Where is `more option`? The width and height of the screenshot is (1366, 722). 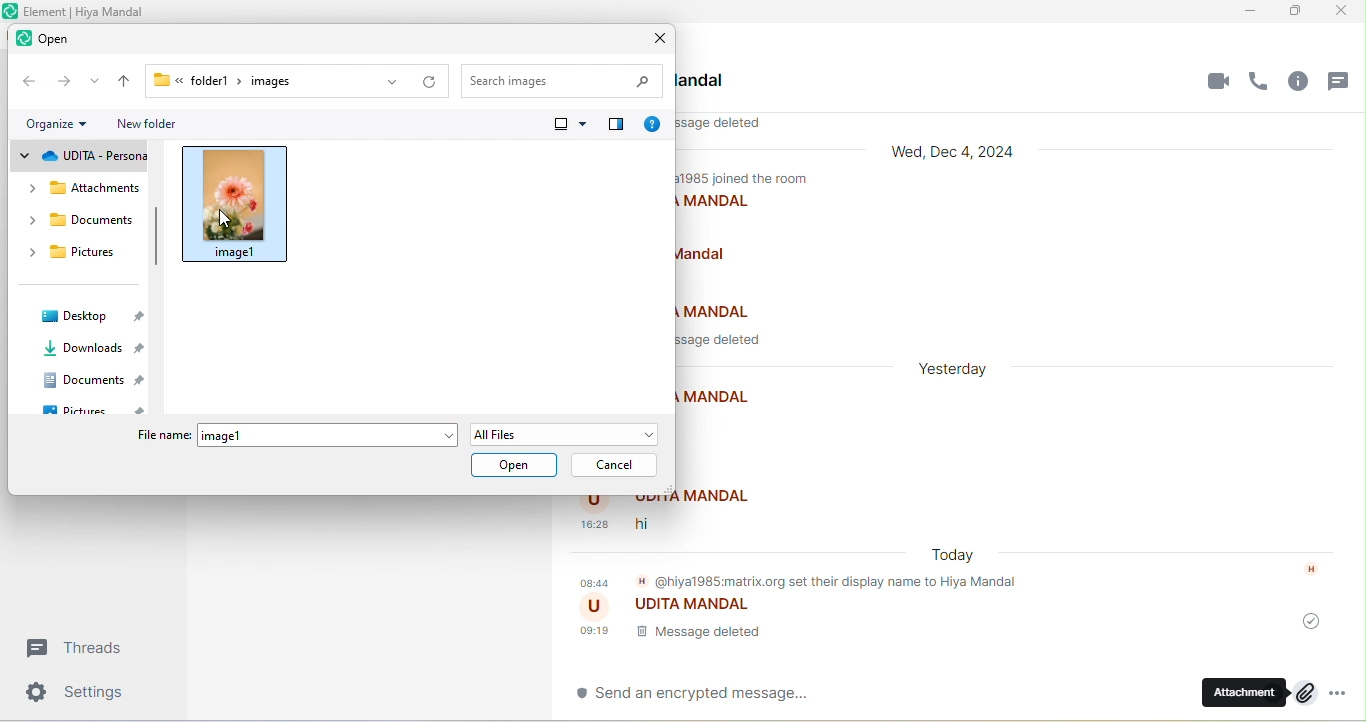 more option is located at coordinates (568, 125).